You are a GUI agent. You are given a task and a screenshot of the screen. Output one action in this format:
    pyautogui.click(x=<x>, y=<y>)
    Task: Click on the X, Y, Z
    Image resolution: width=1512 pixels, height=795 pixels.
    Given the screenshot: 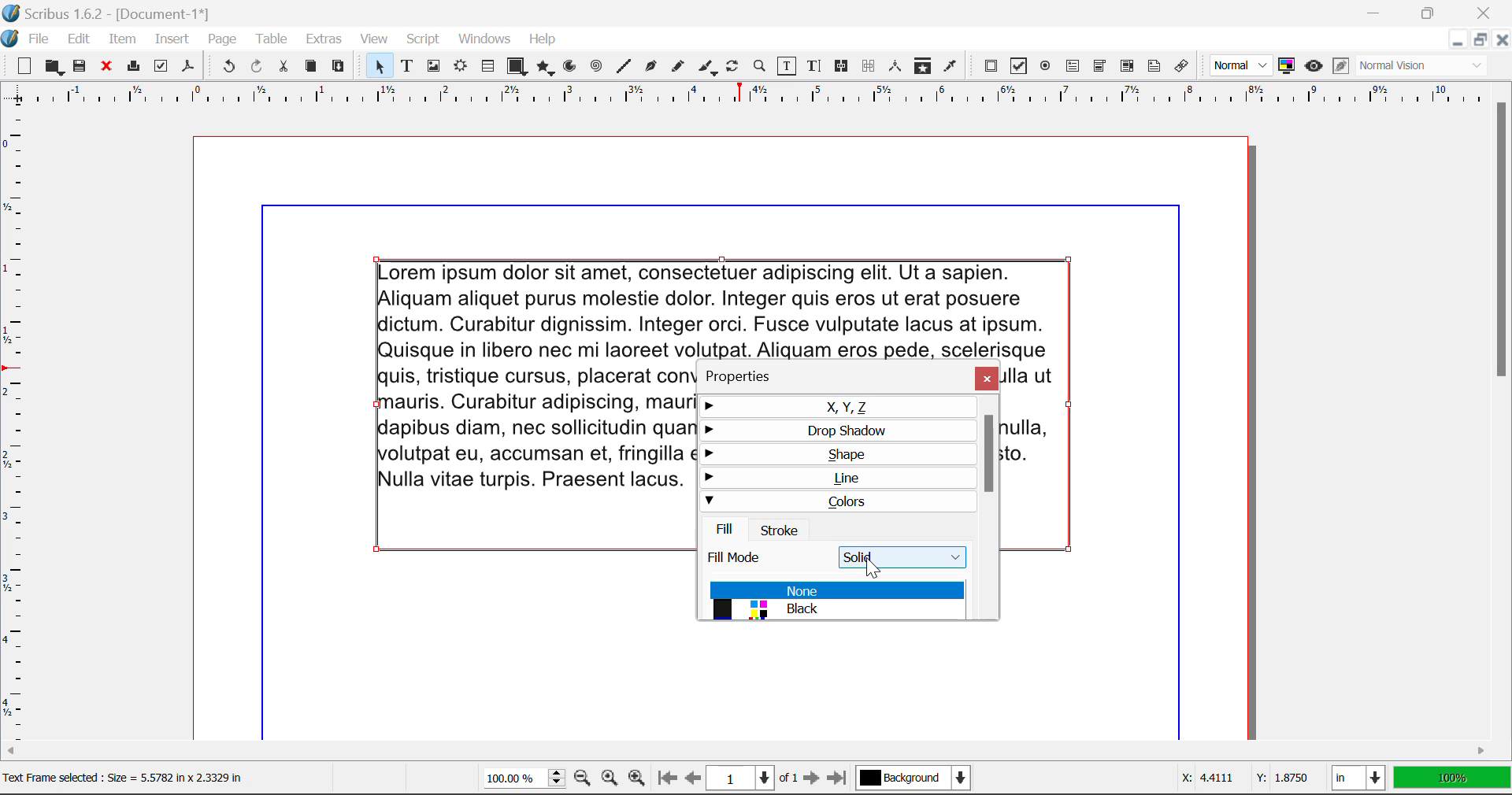 What is the action you would take?
    pyautogui.click(x=838, y=407)
    